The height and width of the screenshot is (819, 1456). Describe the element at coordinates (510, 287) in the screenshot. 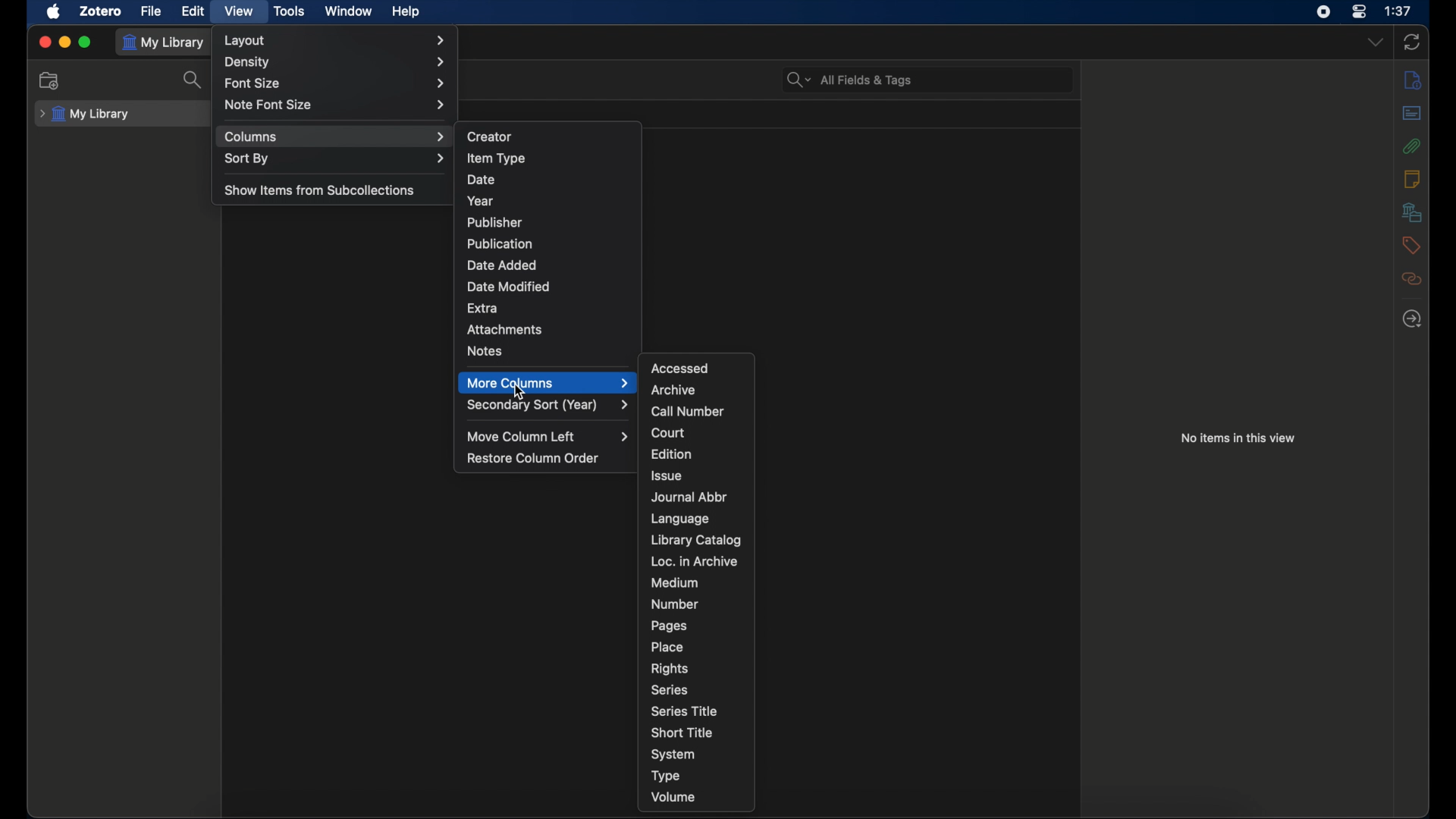

I see `date modified` at that location.